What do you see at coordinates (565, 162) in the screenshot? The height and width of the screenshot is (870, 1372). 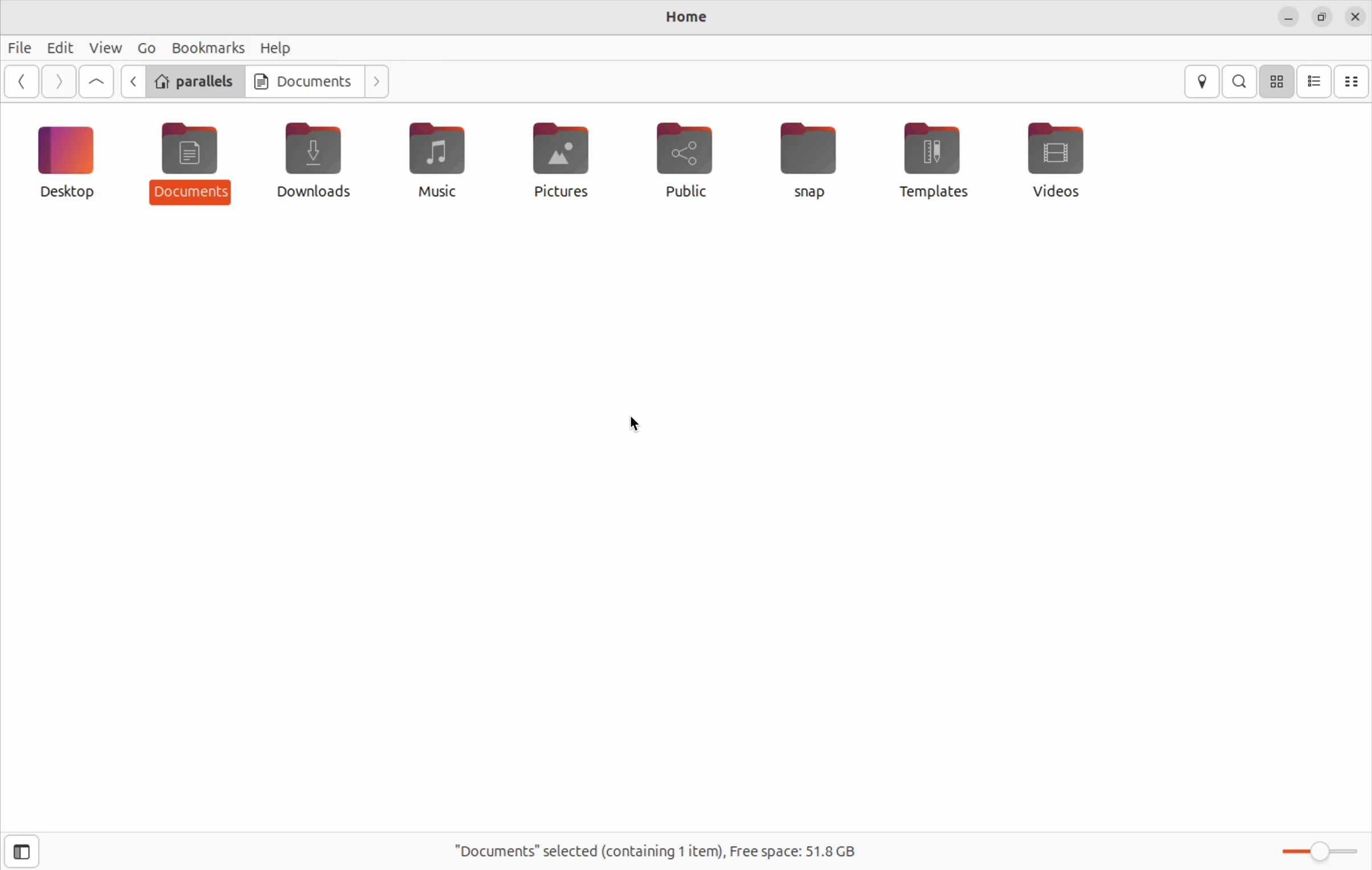 I see `Pictures` at bounding box center [565, 162].